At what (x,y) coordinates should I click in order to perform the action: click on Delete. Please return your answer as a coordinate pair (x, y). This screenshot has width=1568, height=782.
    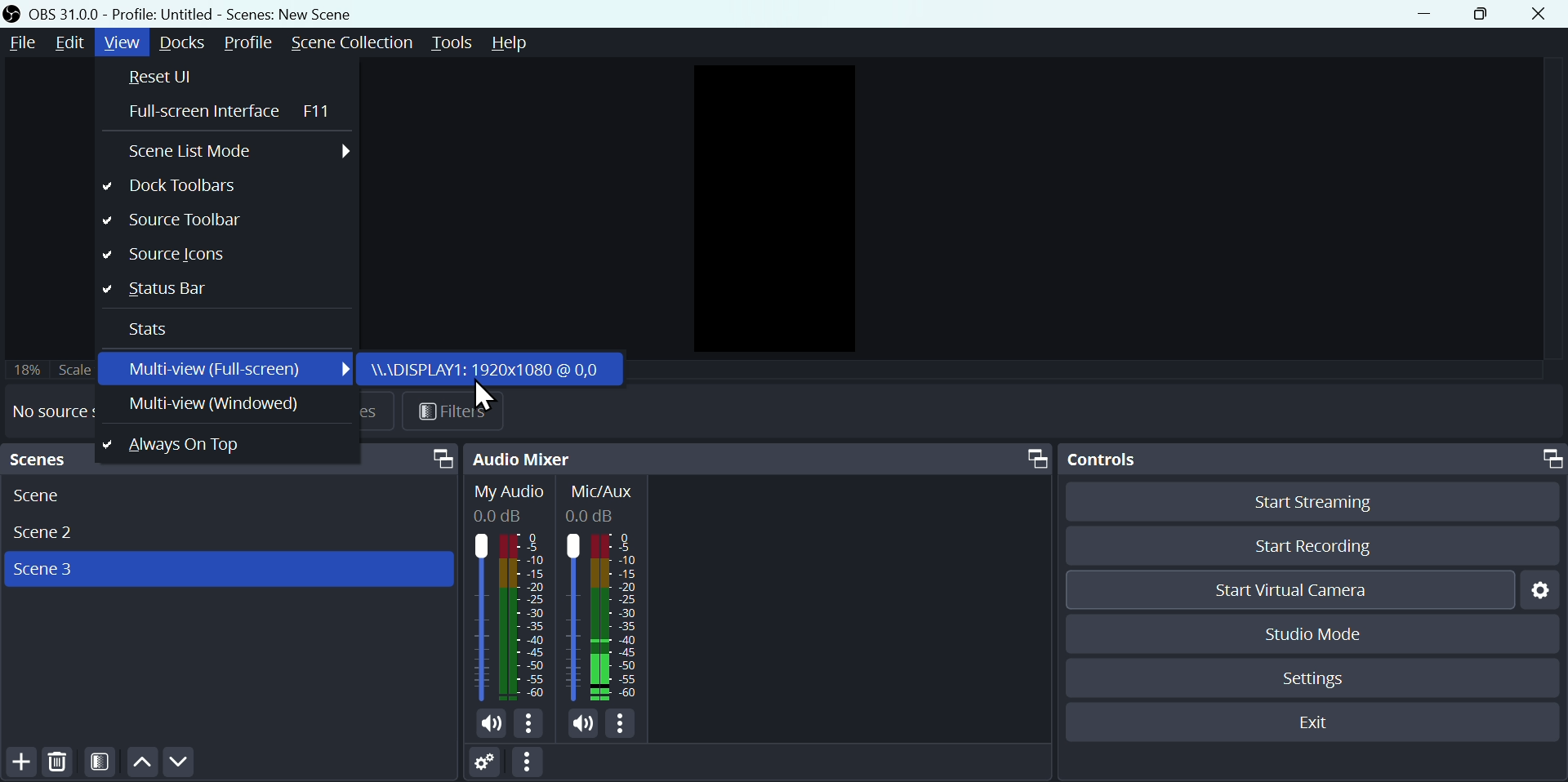
    Looking at the image, I should click on (60, 765).